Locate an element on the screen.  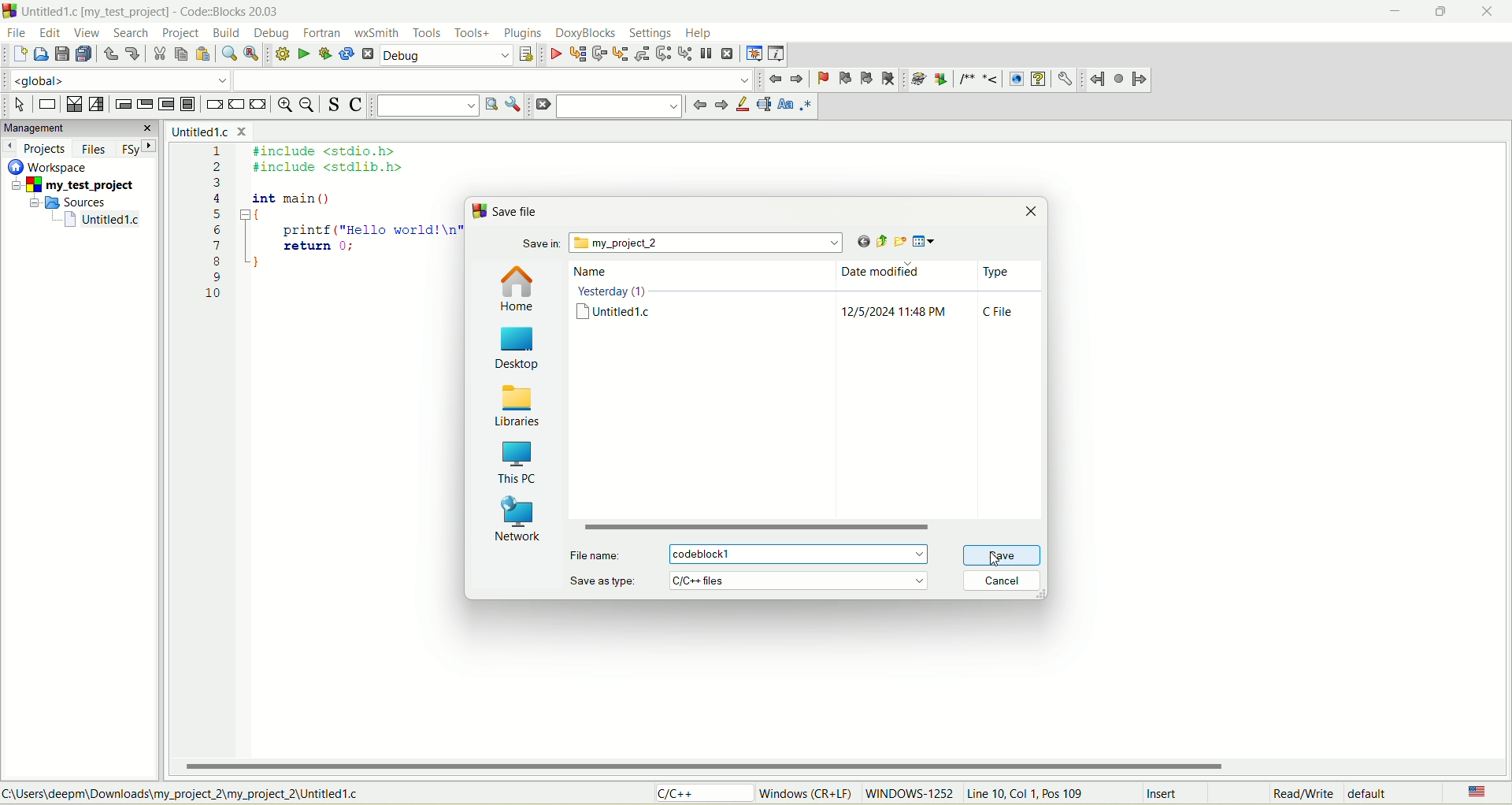
debug is located at coordinates (447, 56).